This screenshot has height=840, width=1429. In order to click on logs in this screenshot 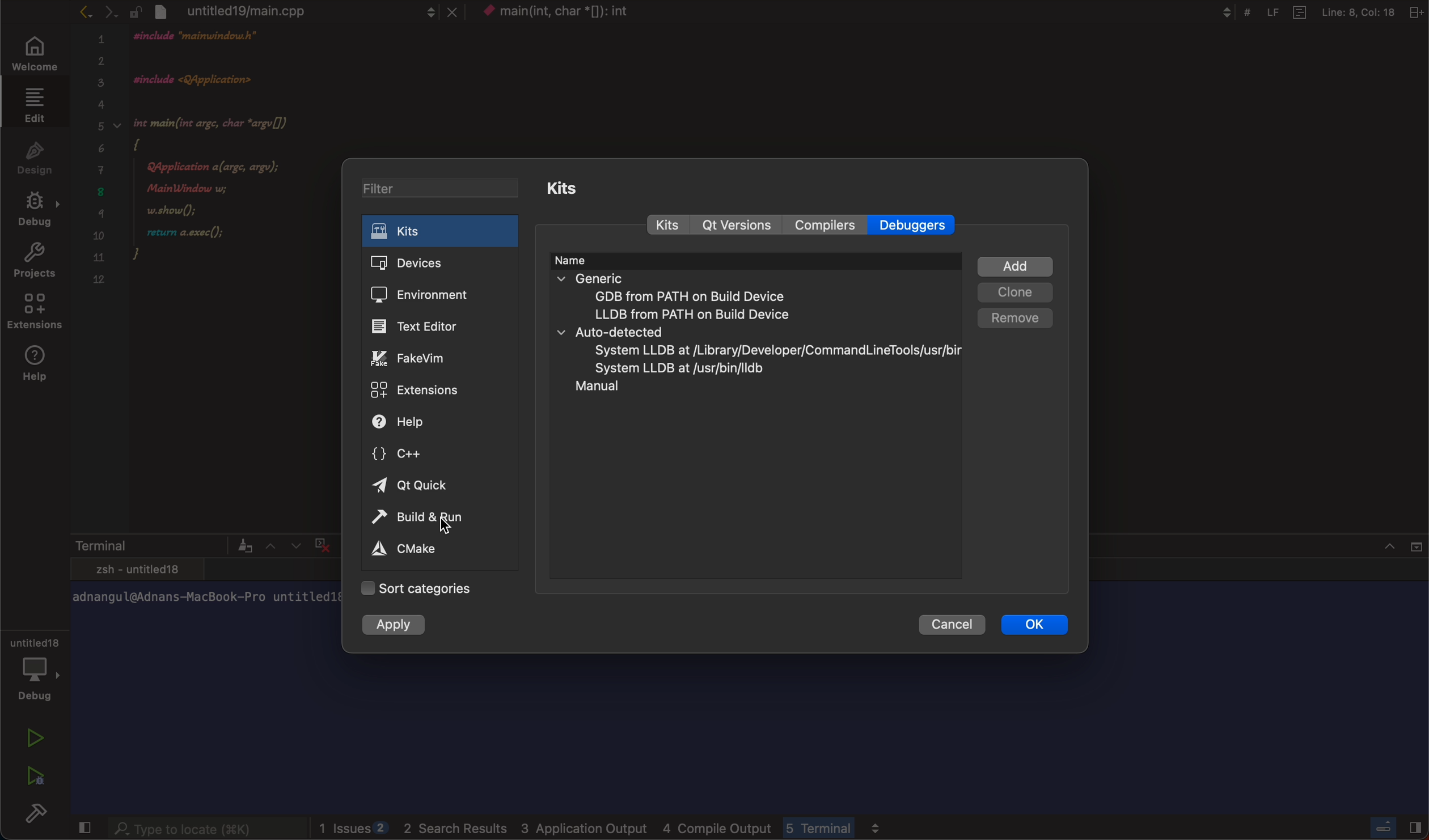, I will do `click(605, 824)`.